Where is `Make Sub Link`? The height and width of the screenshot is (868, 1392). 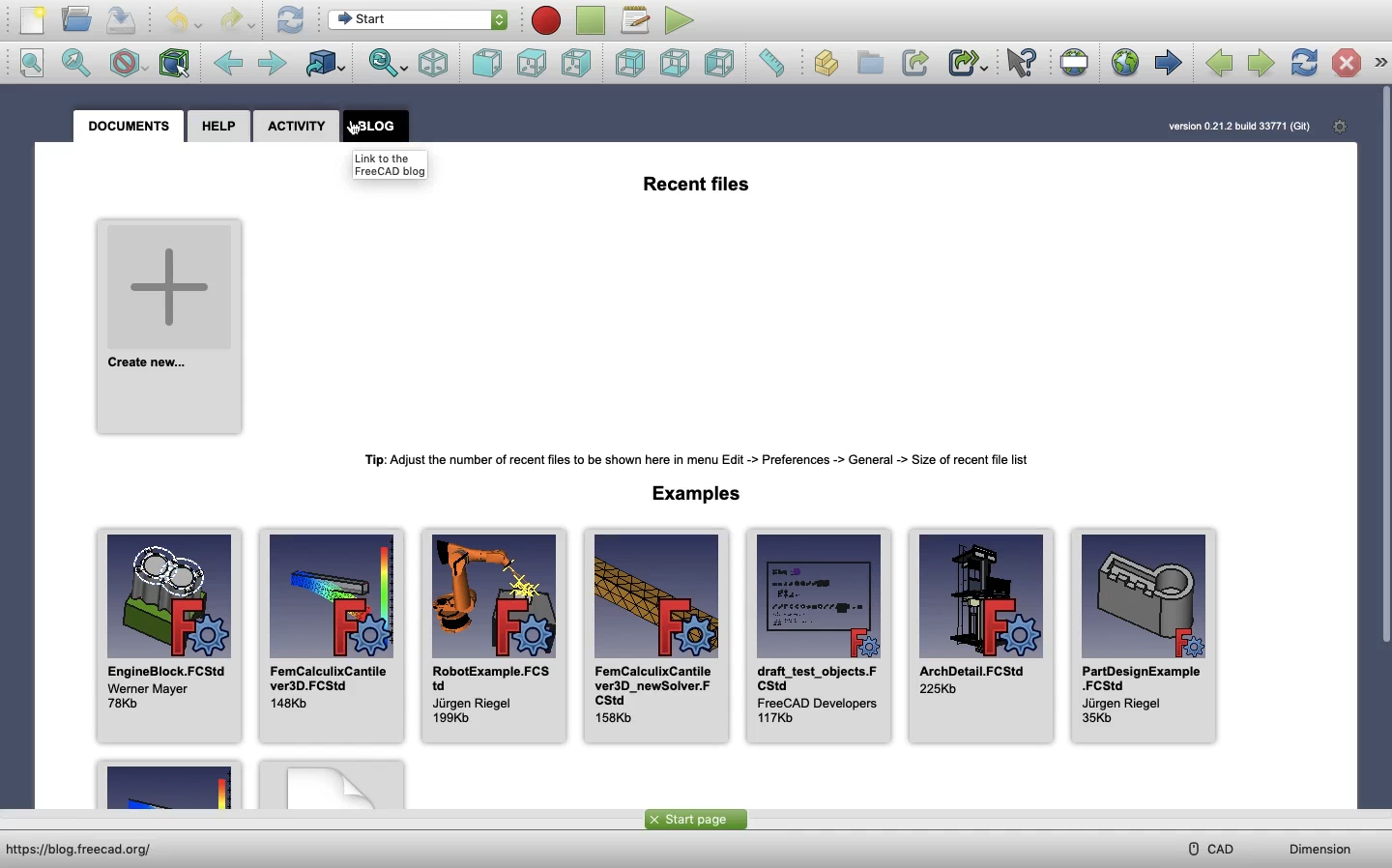
Make Sub Link is located at coordinates (967, 63).